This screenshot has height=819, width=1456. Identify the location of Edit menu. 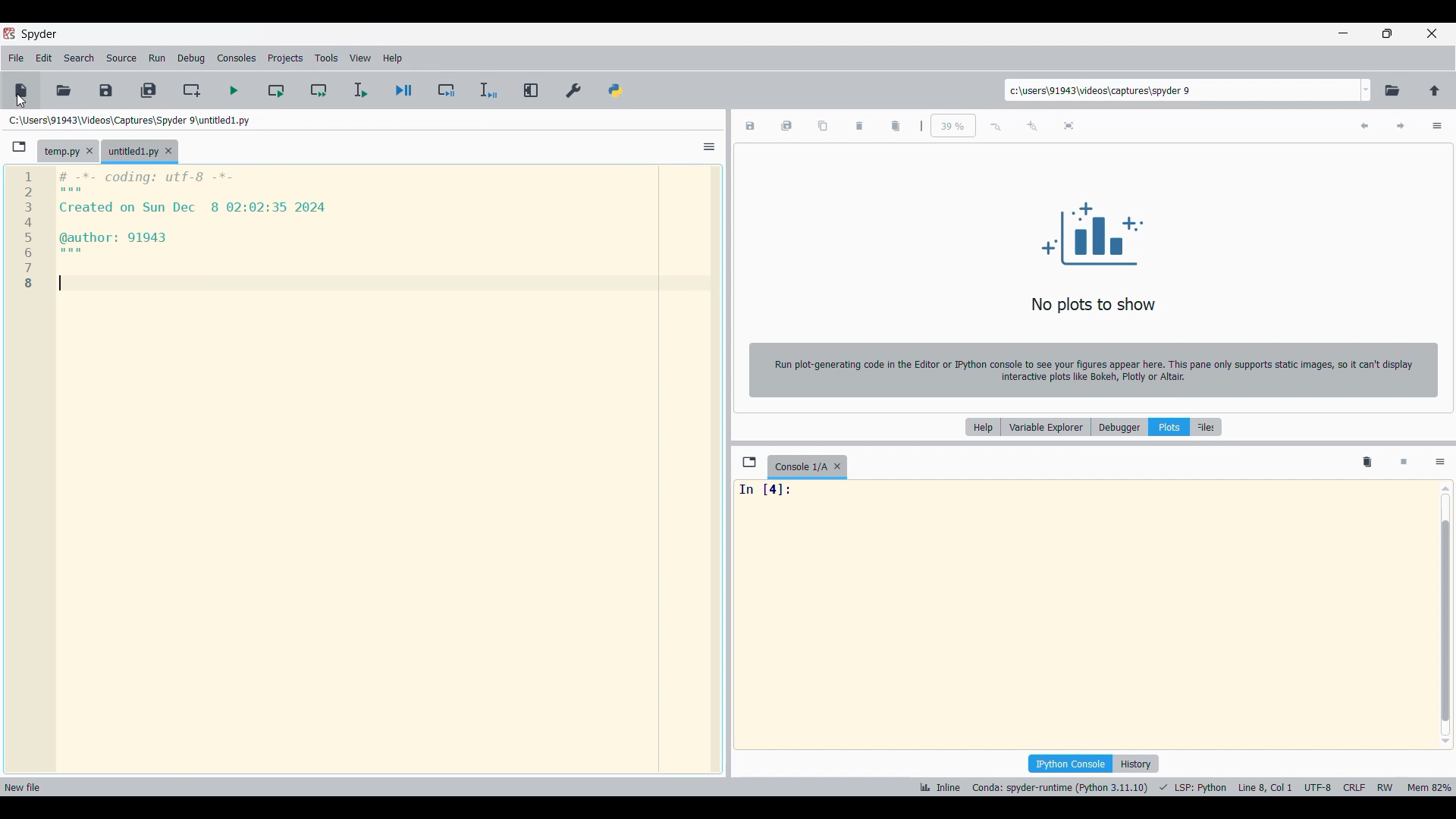
(45, 58).